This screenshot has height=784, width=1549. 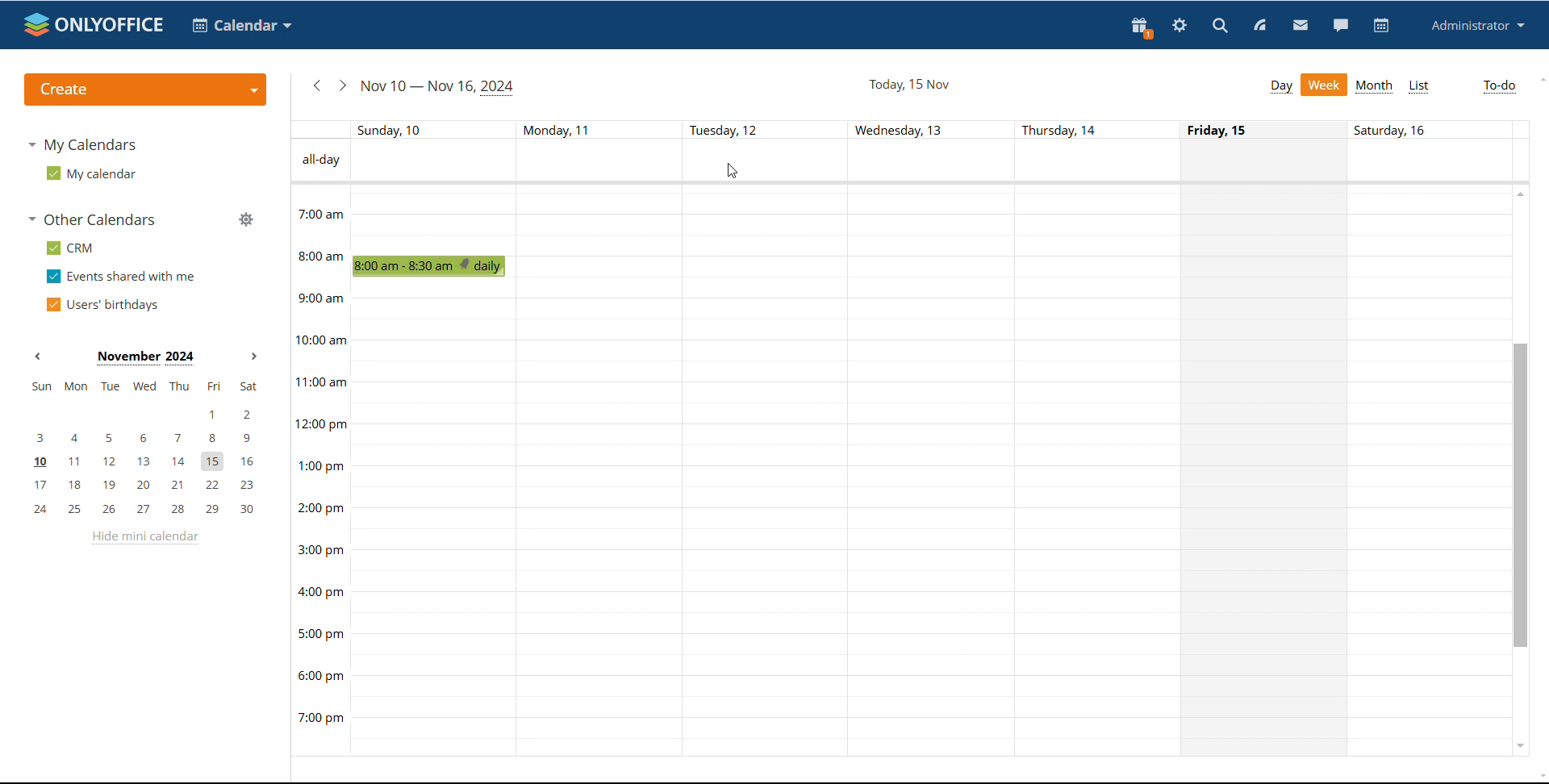 I want to click on 1, 2, so click(x=144, y=411).